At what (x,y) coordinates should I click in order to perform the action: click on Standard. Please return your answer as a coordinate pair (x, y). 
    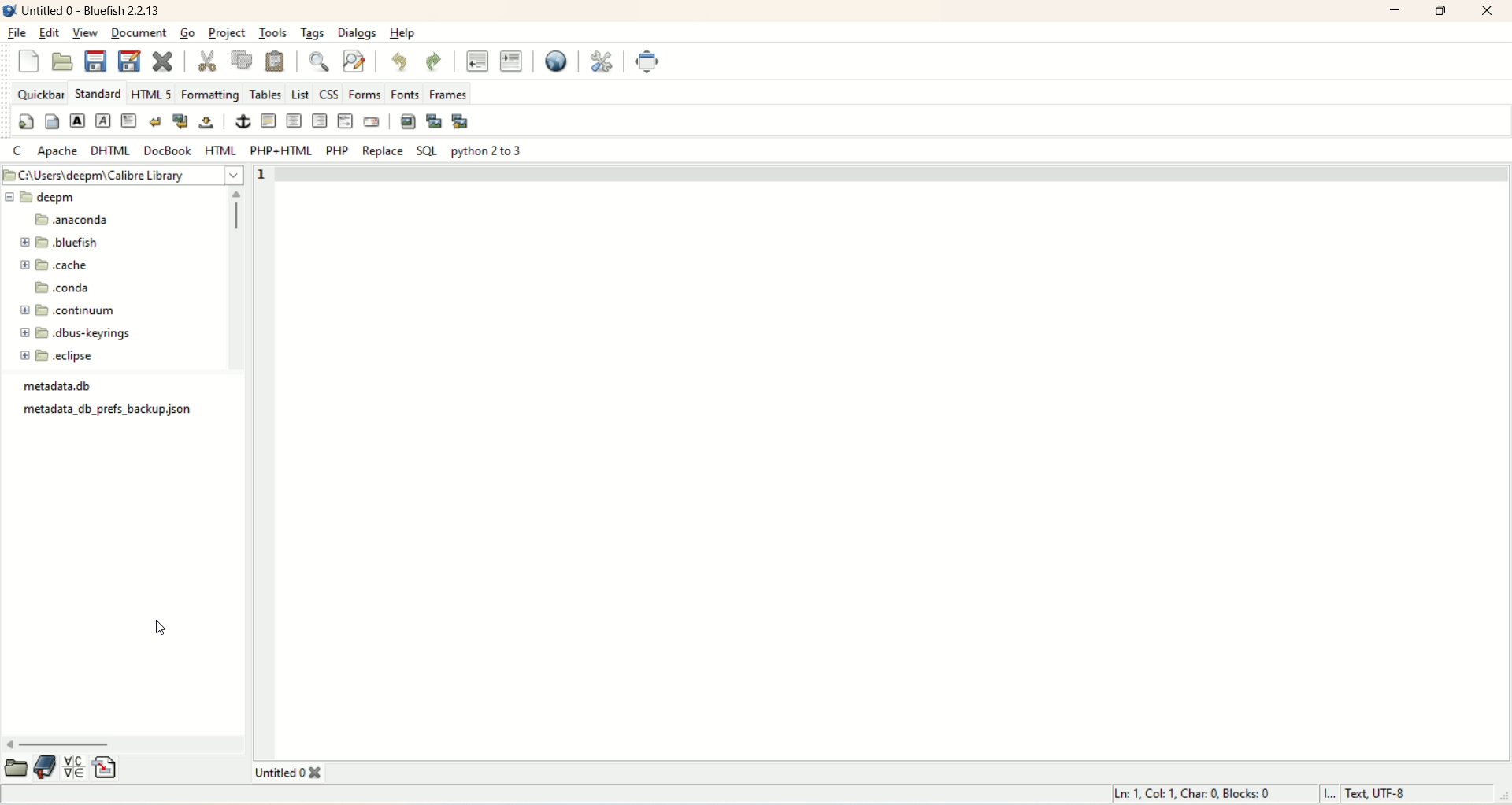
    Looking at the image, I should click on (96, 92).